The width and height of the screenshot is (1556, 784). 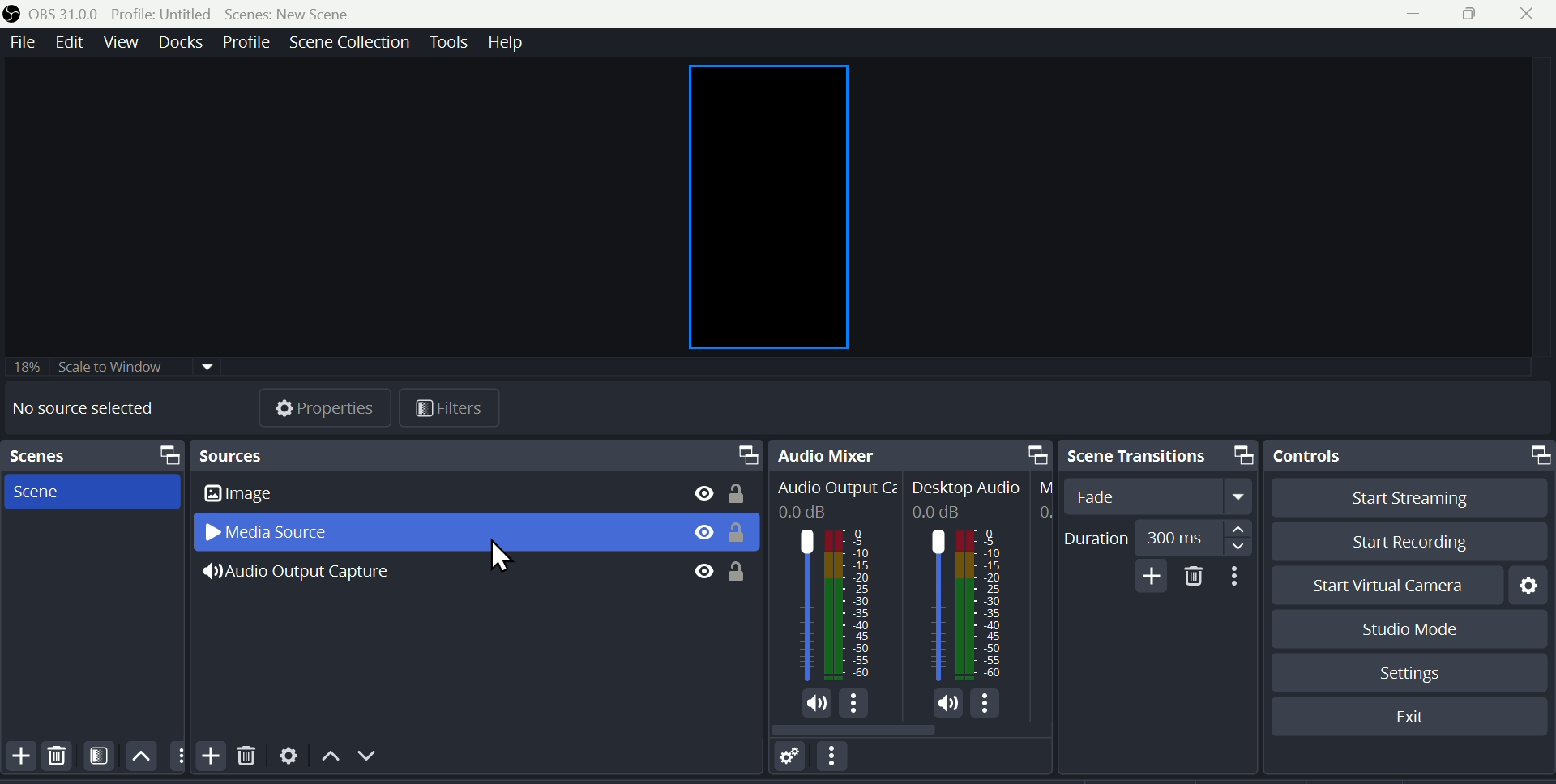 What do you see at coordinates (1162, 496) in the screenshot?
I see `fade` at bounding box center [1162, 496].